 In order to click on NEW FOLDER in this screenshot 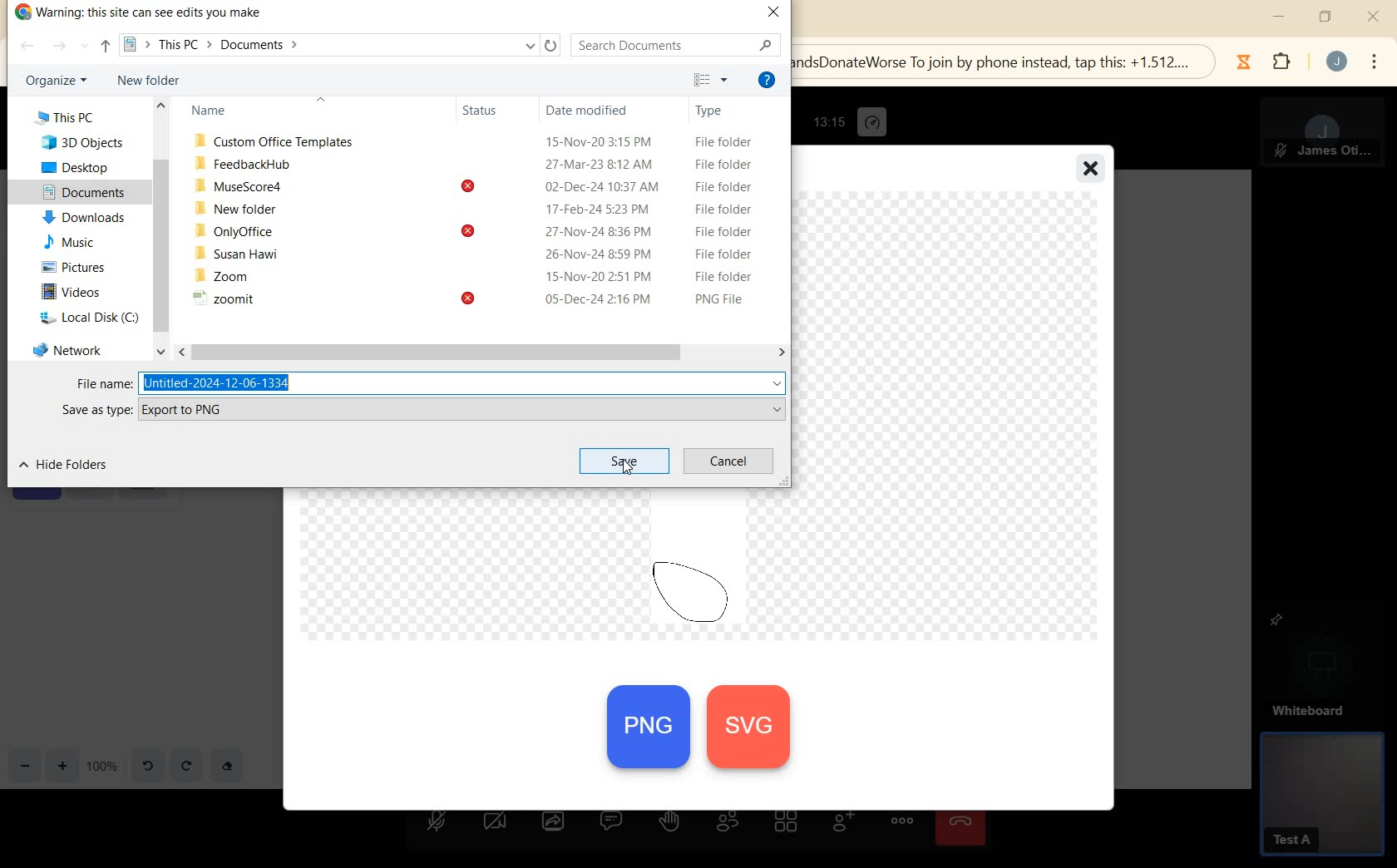, I will do `click(156, 81)`.